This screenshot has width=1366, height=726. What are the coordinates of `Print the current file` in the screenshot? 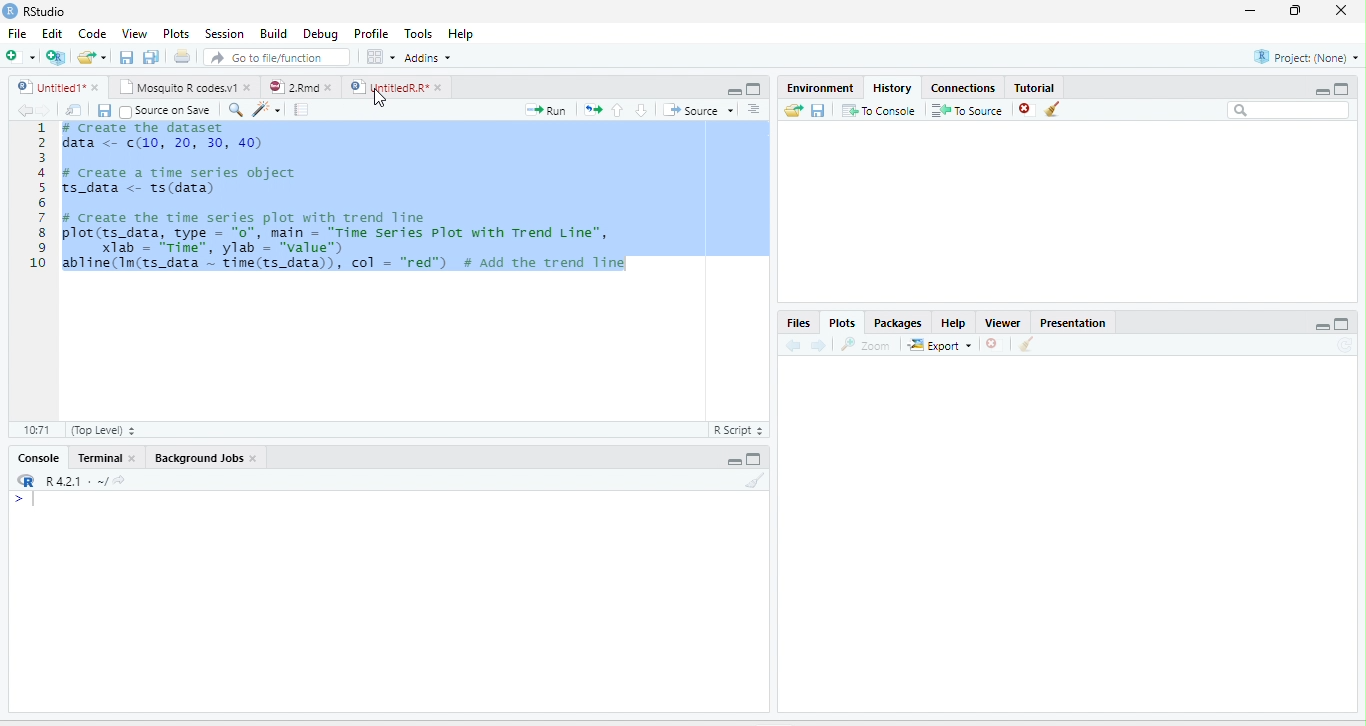 It's located at (181, 56).